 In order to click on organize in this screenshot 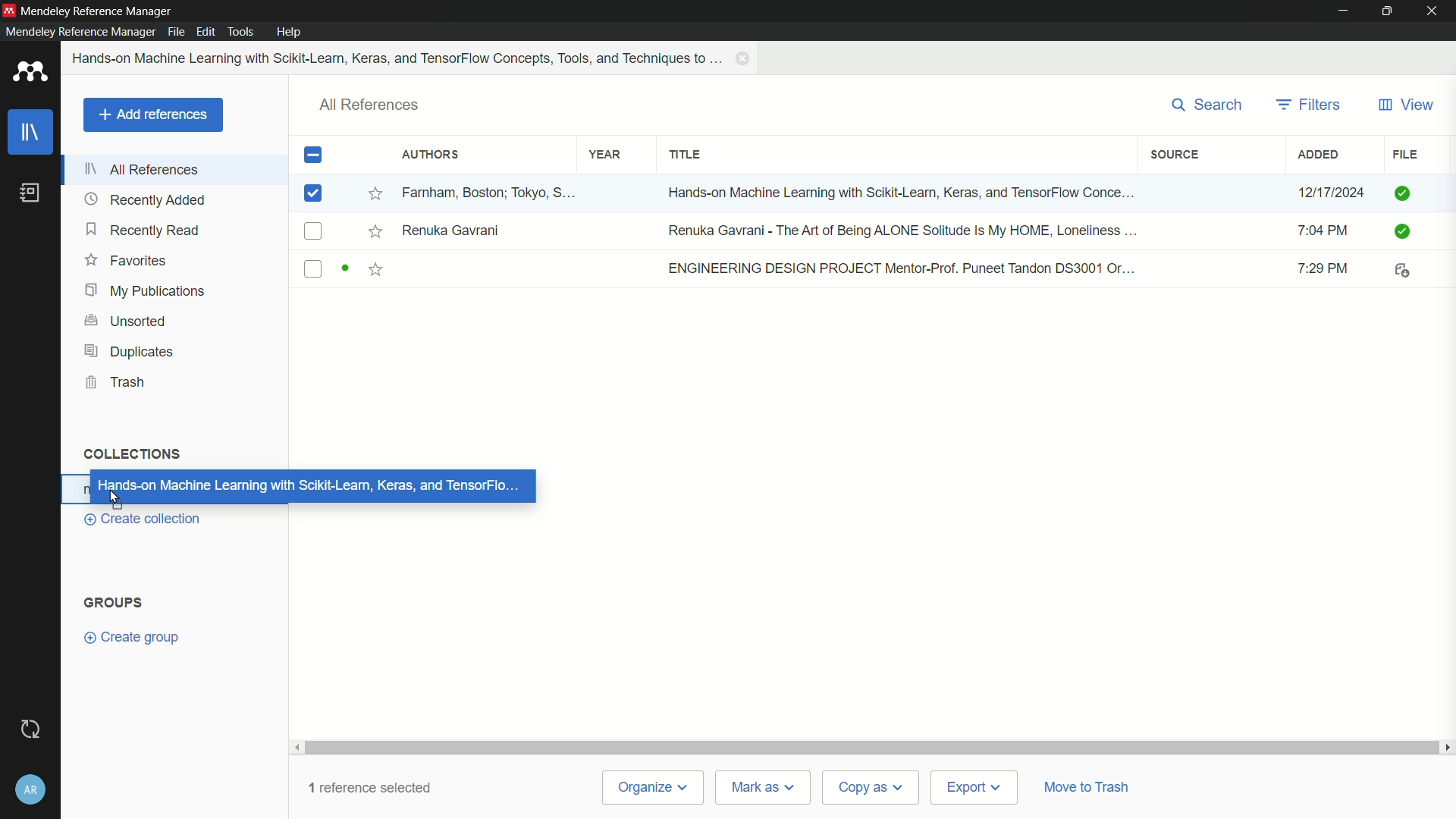, I will do `click(653, 787)`.